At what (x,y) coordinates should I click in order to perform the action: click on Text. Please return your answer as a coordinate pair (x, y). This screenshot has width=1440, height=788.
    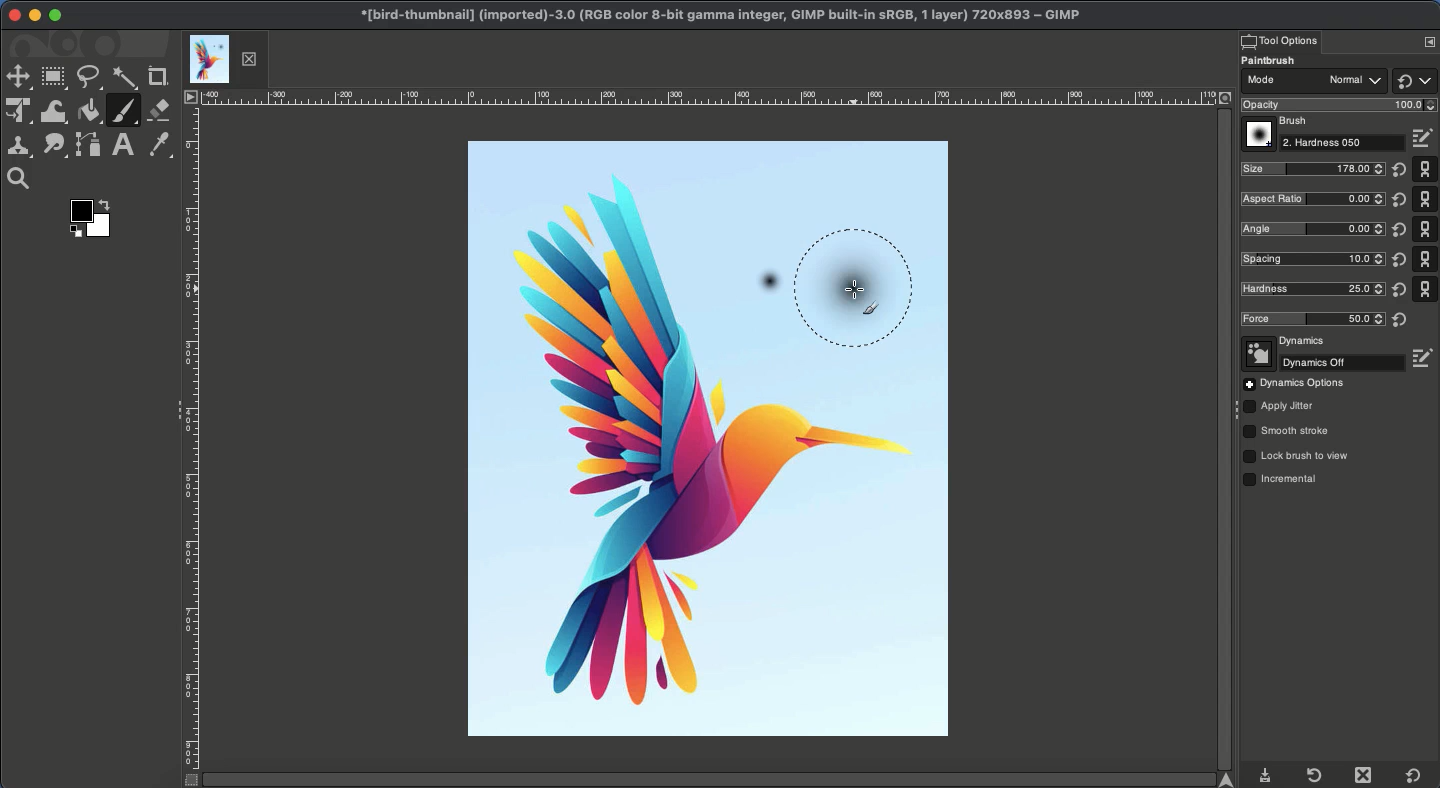
    Looking at the image, I should click on (122, 145).